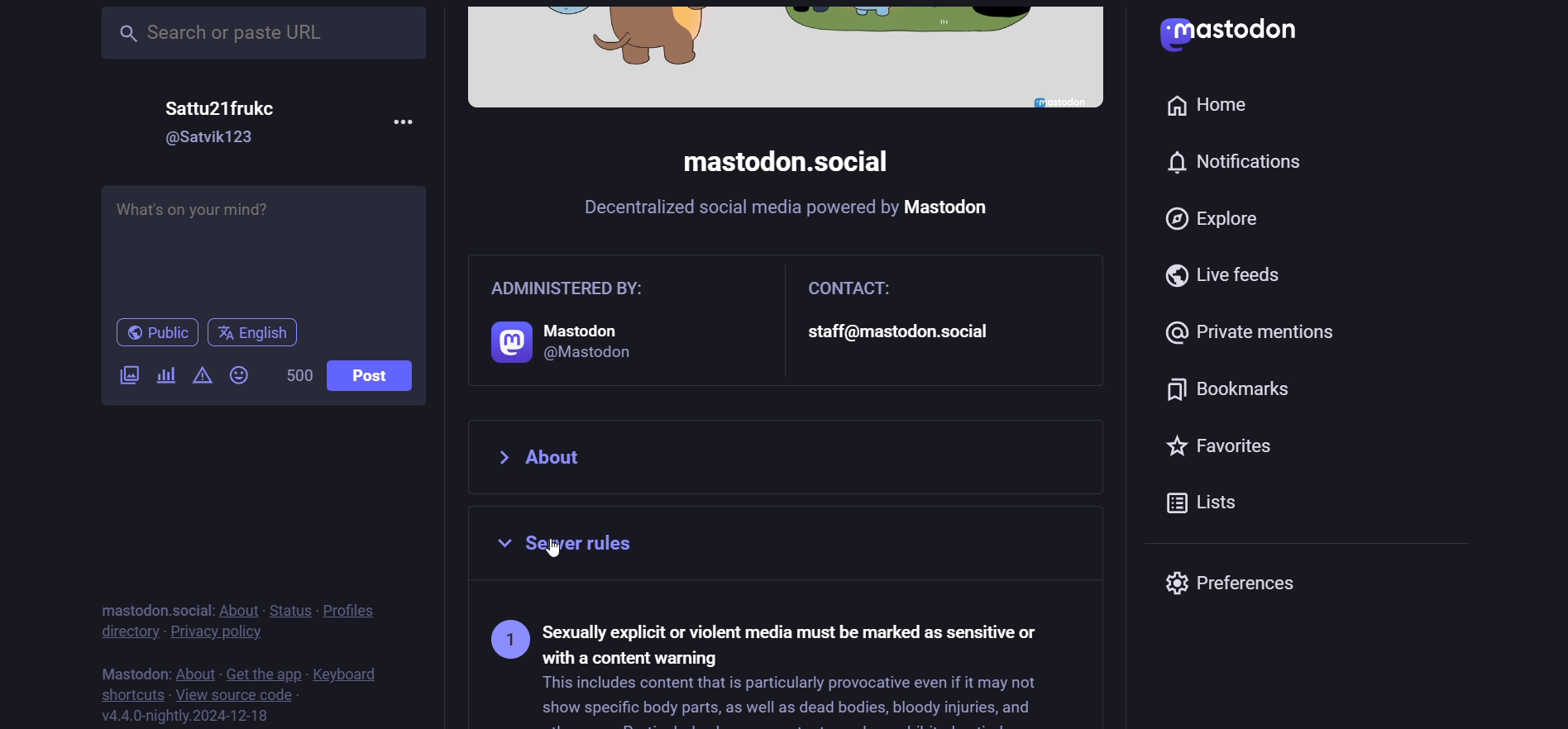 This screenshot has height=729, width=1568. What do you see at coordinates (595, 319) in the screenshot?
I see `administered by` at bounding box center [595, 319].